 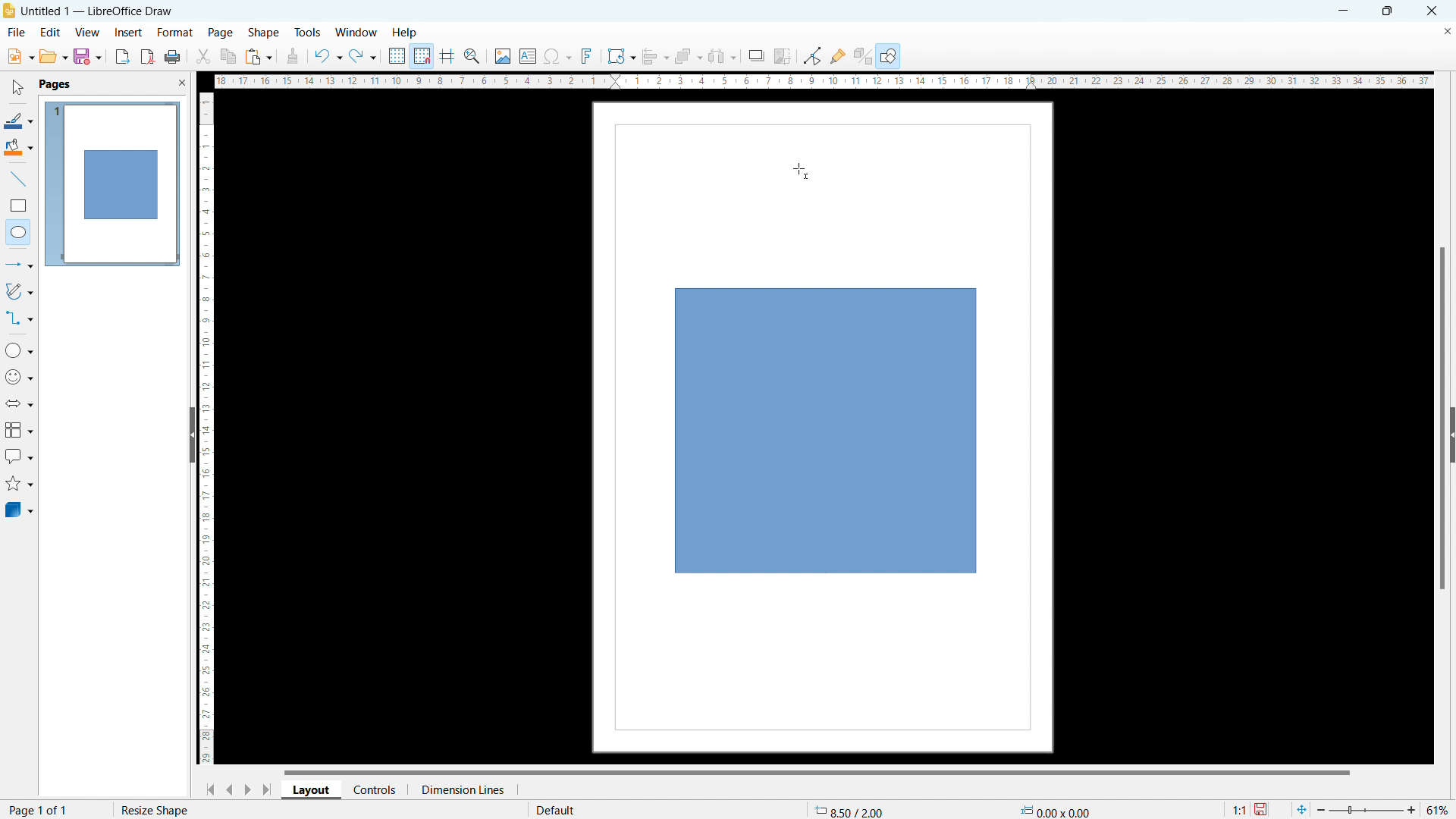 I want to click on go to next page, so click(x=247, y=789).